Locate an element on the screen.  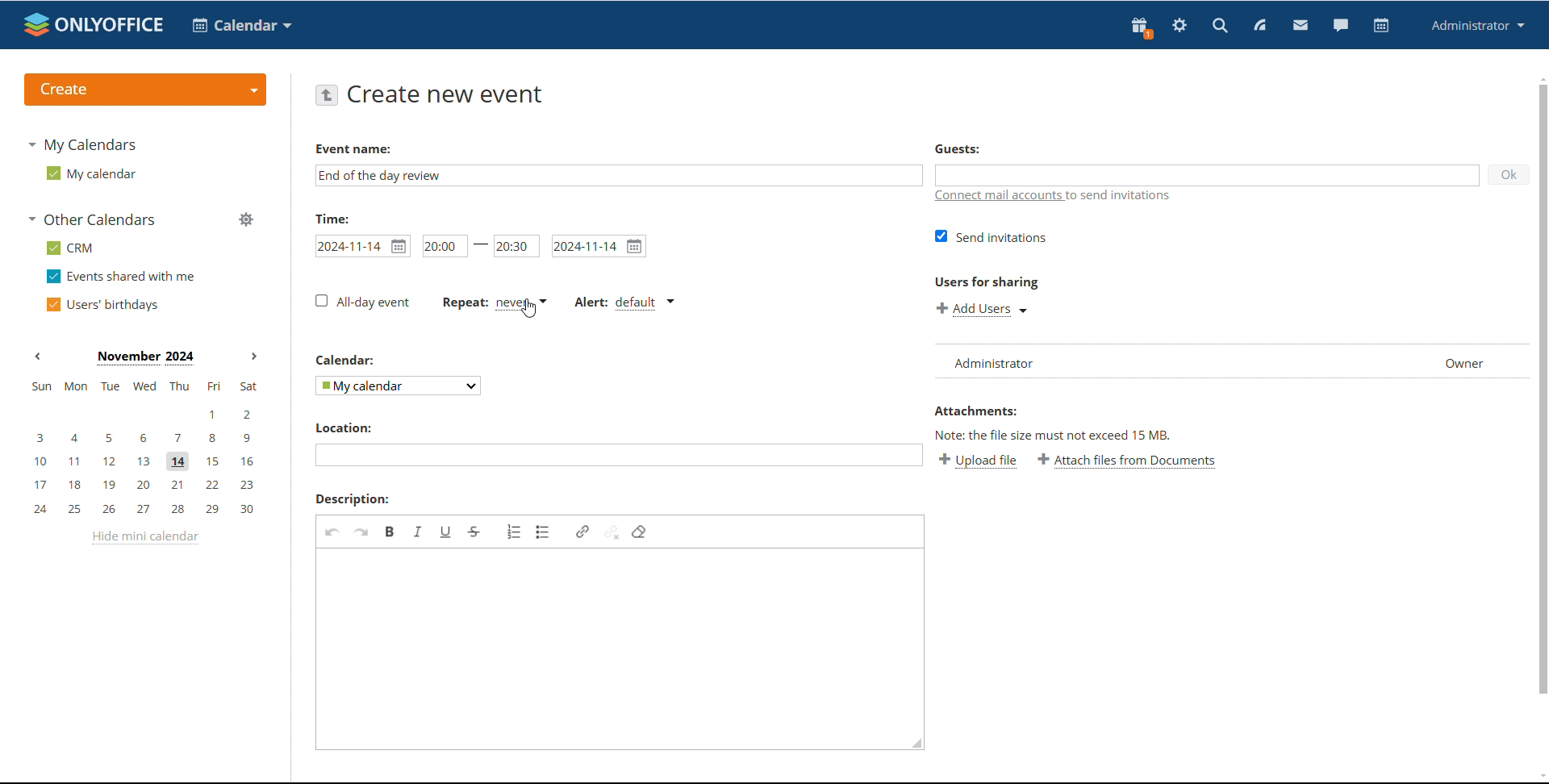
create is located at coordinates (145, 90).